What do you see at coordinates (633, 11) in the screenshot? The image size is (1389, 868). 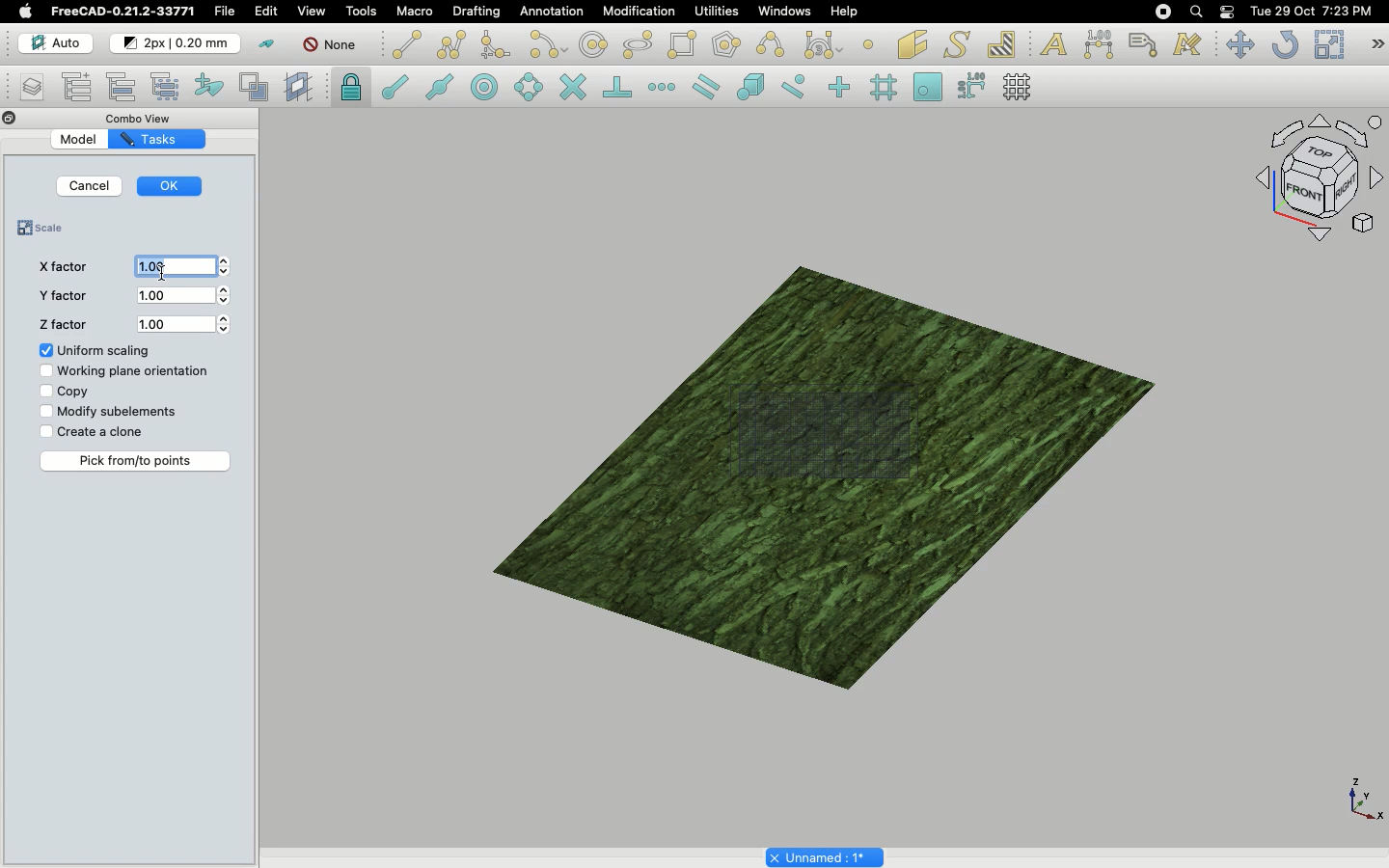 I see `Modification` at bounding box center [633, 11].